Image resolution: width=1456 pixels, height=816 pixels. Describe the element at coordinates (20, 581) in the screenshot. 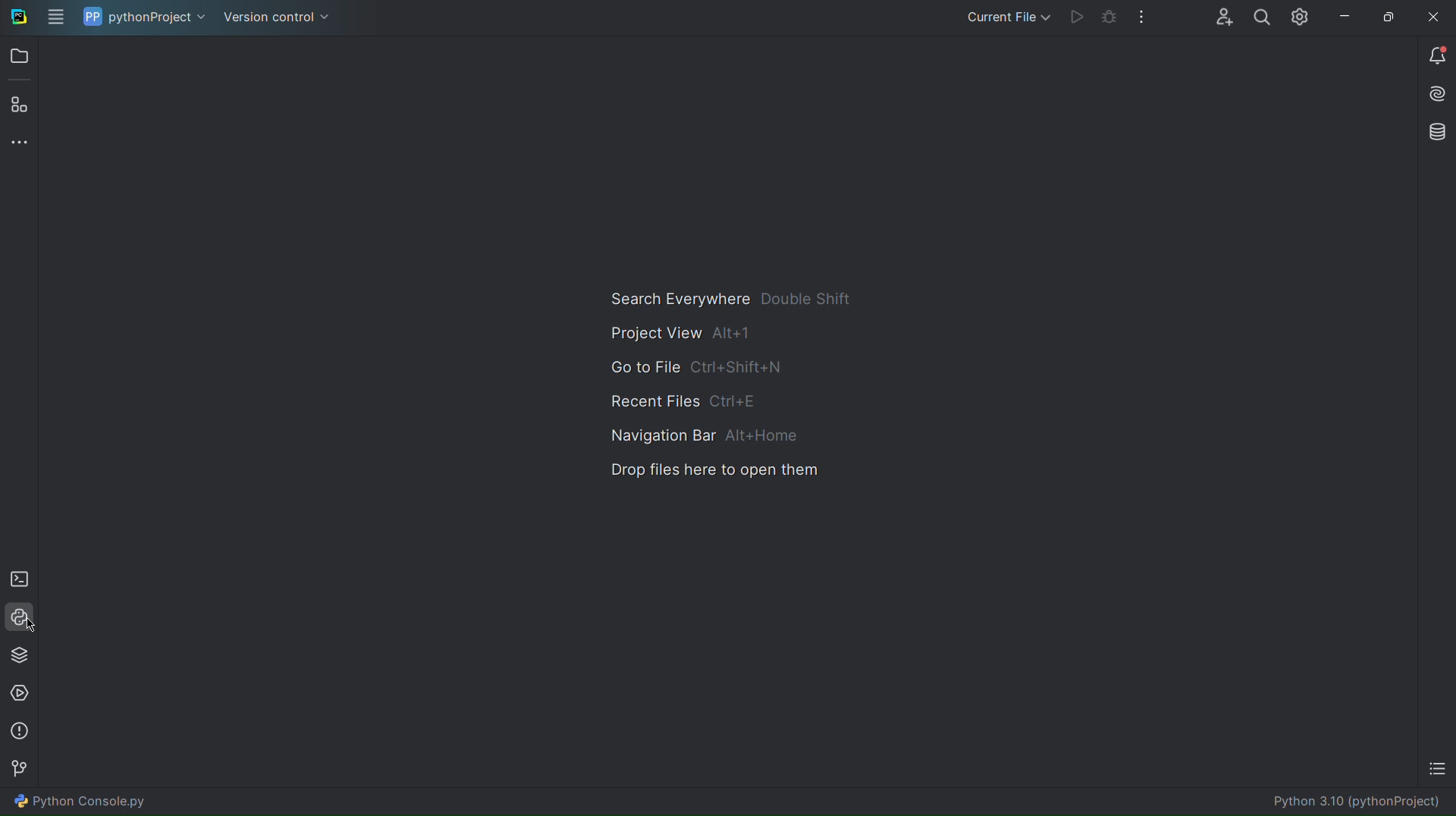

I see `Terminal` at that location.